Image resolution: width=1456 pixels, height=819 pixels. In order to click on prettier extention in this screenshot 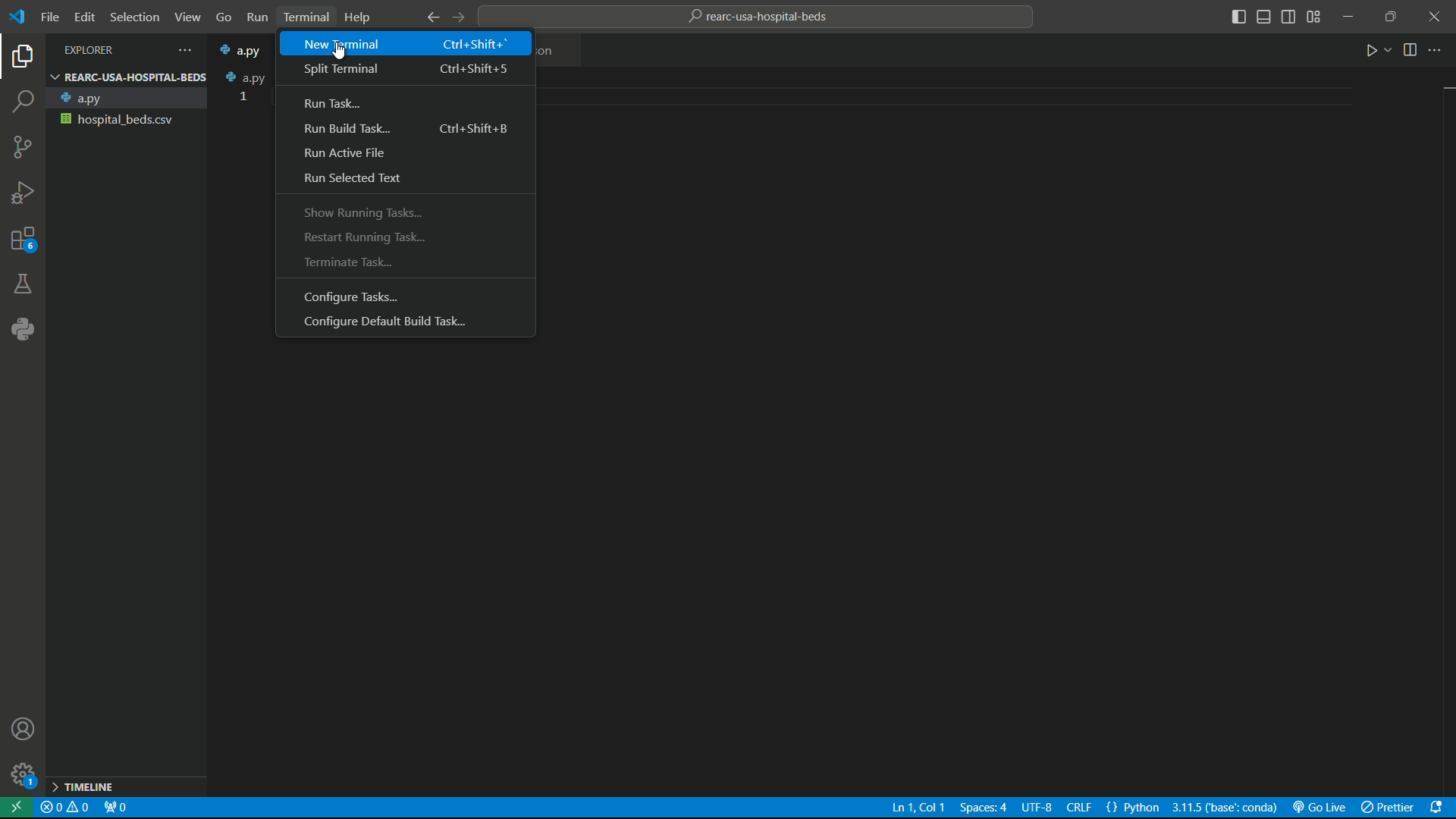, I will do `click(1392, 809)`.